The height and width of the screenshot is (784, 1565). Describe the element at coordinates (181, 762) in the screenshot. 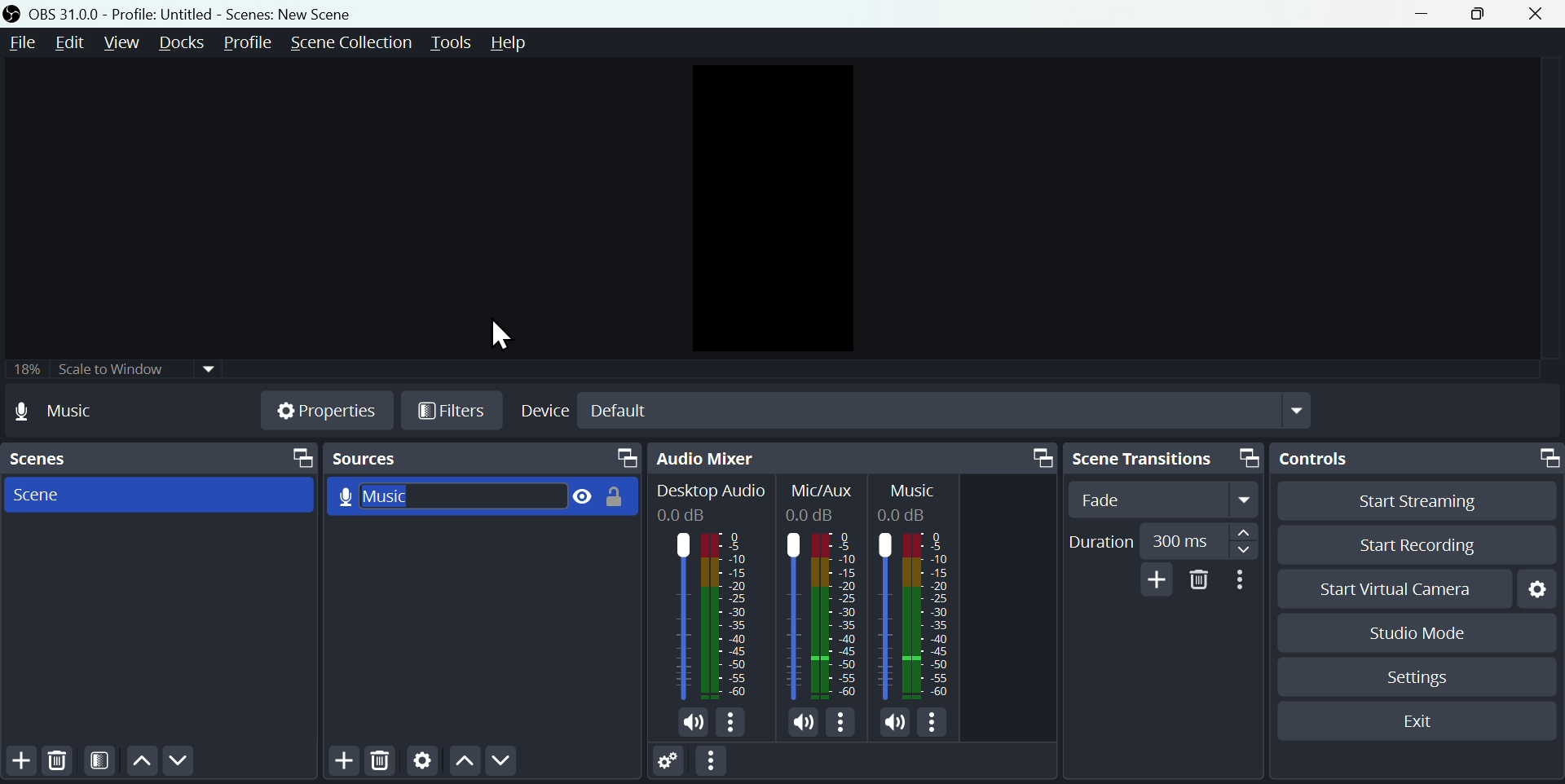

I see `Move down` at that location.